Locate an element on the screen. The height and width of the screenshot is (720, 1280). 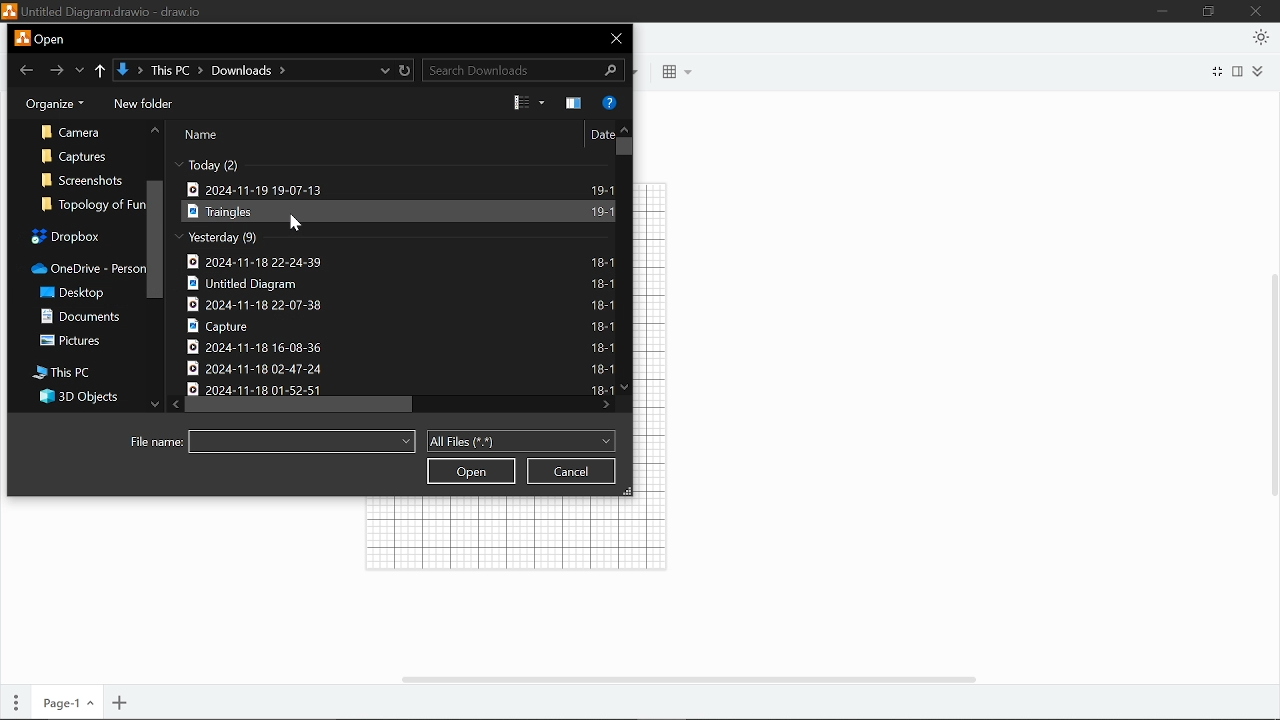
cursor is located at coordinates (300, 225).